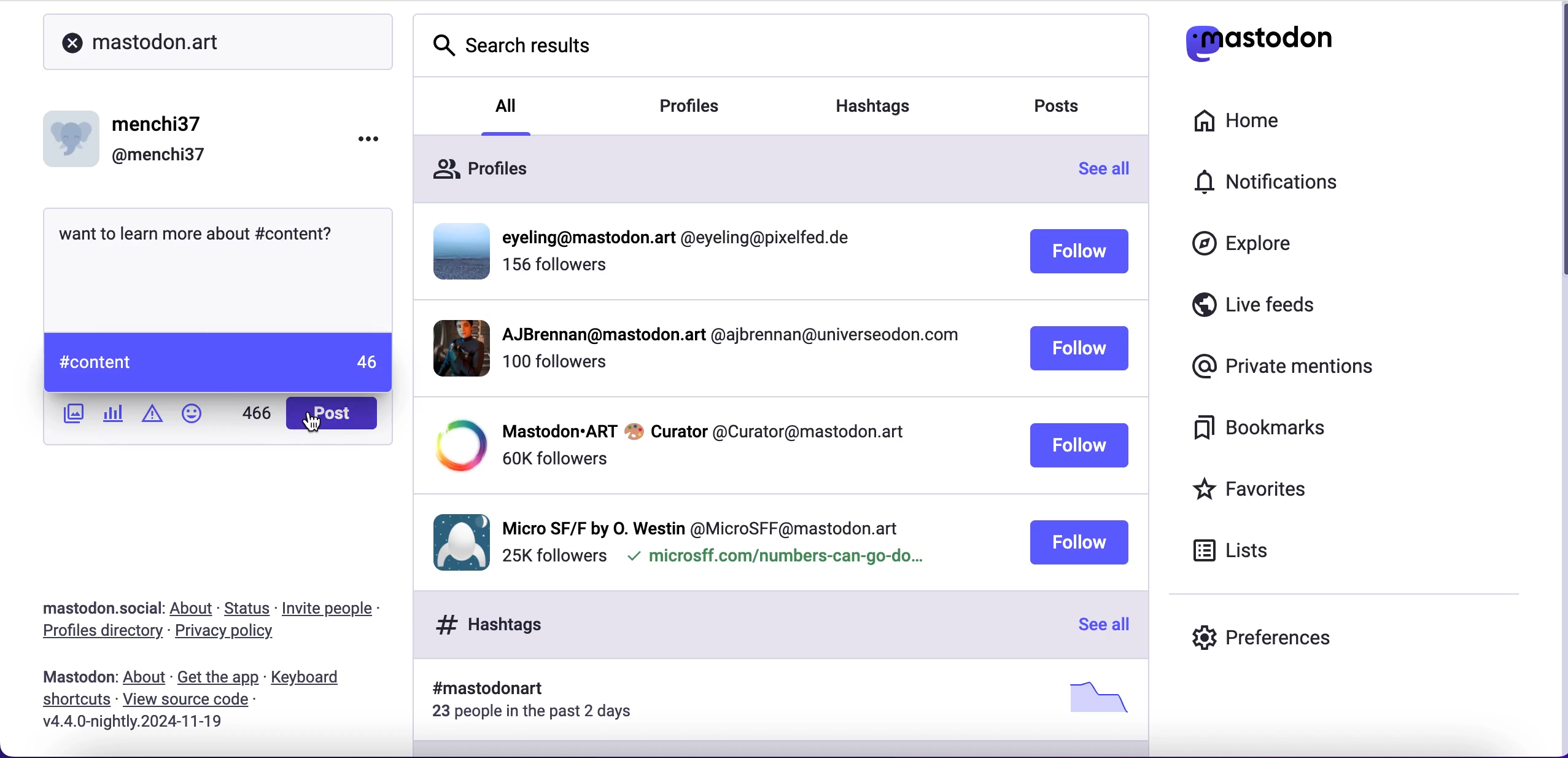 The width and height of the screenshot is (1568, 758). Describe the element at coordinates (508, 104) in the screenshot. I see `all` at that location.